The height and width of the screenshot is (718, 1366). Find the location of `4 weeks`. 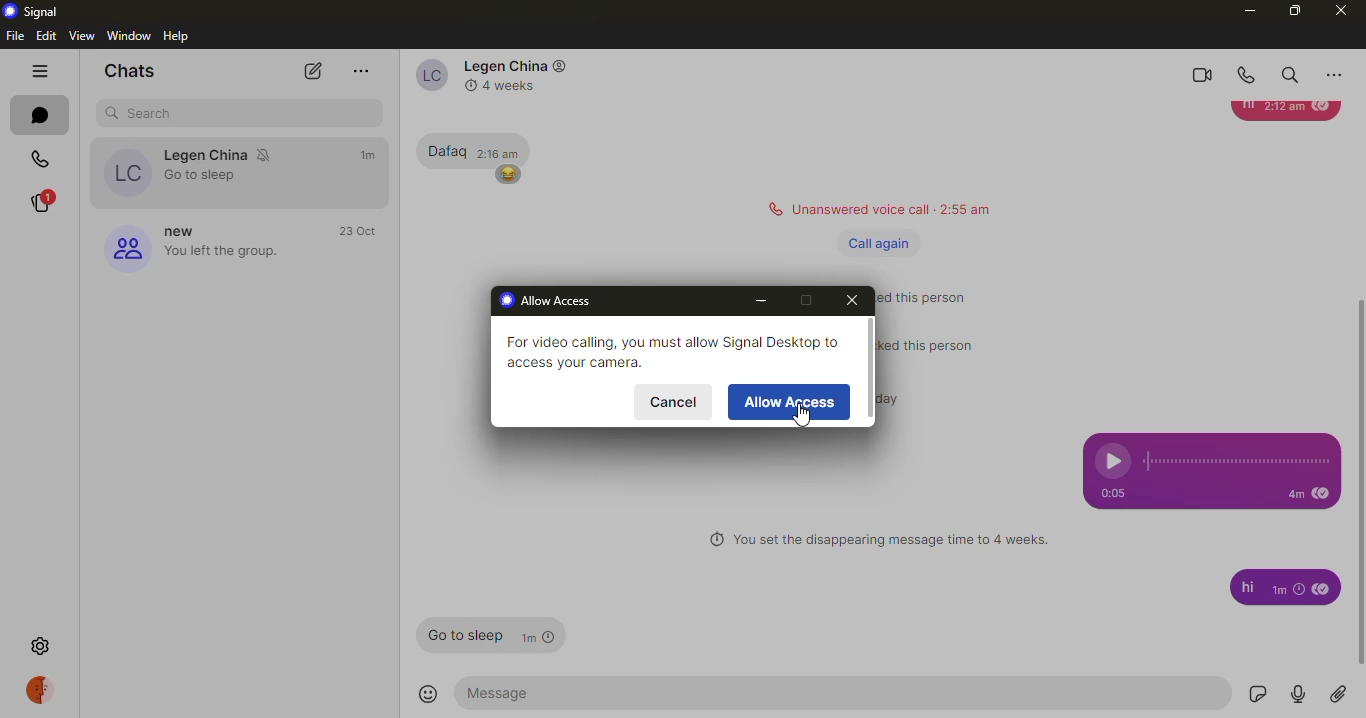

4 weeks is located at coordinates (513, 85).